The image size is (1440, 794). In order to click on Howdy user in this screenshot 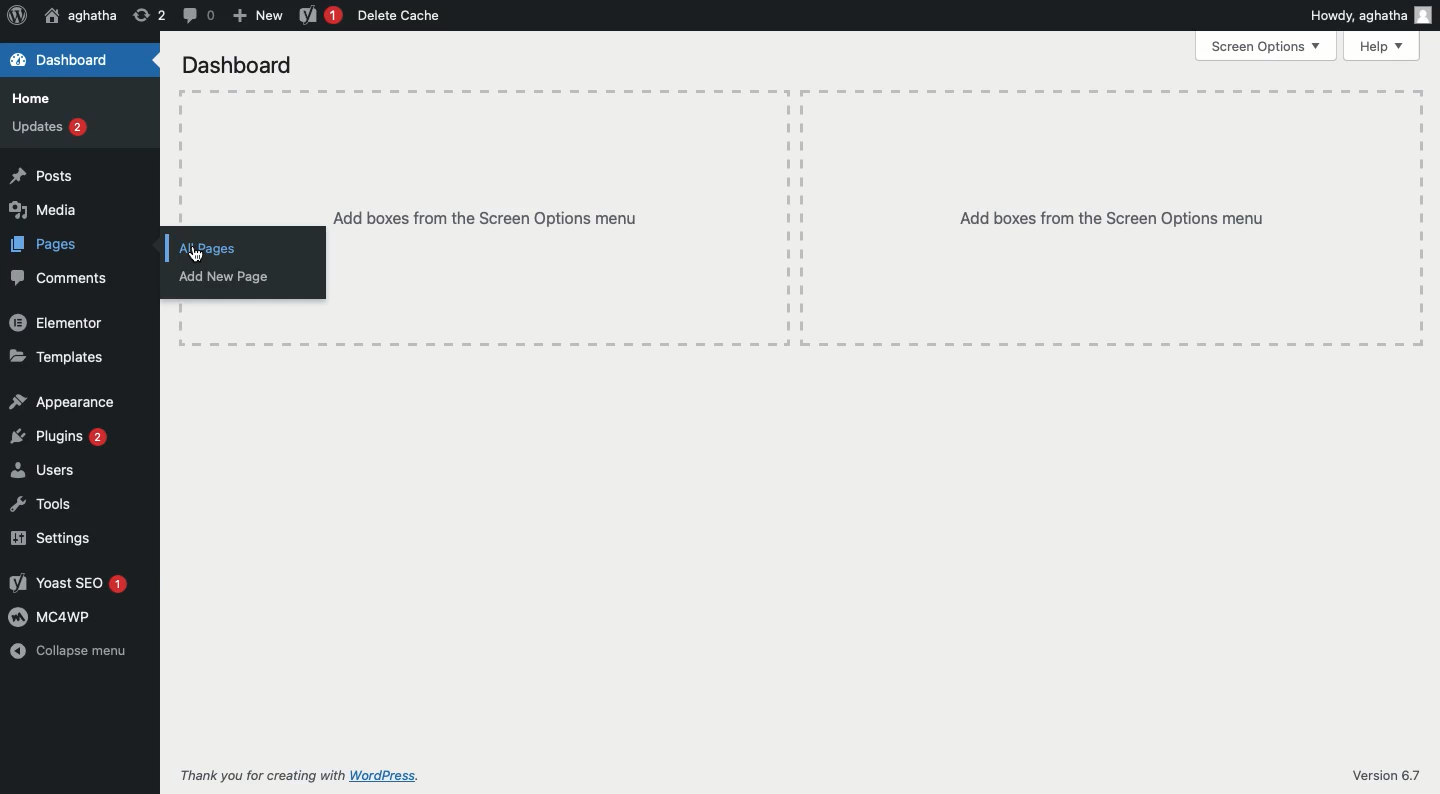, I will do `click(1371, 15)`.